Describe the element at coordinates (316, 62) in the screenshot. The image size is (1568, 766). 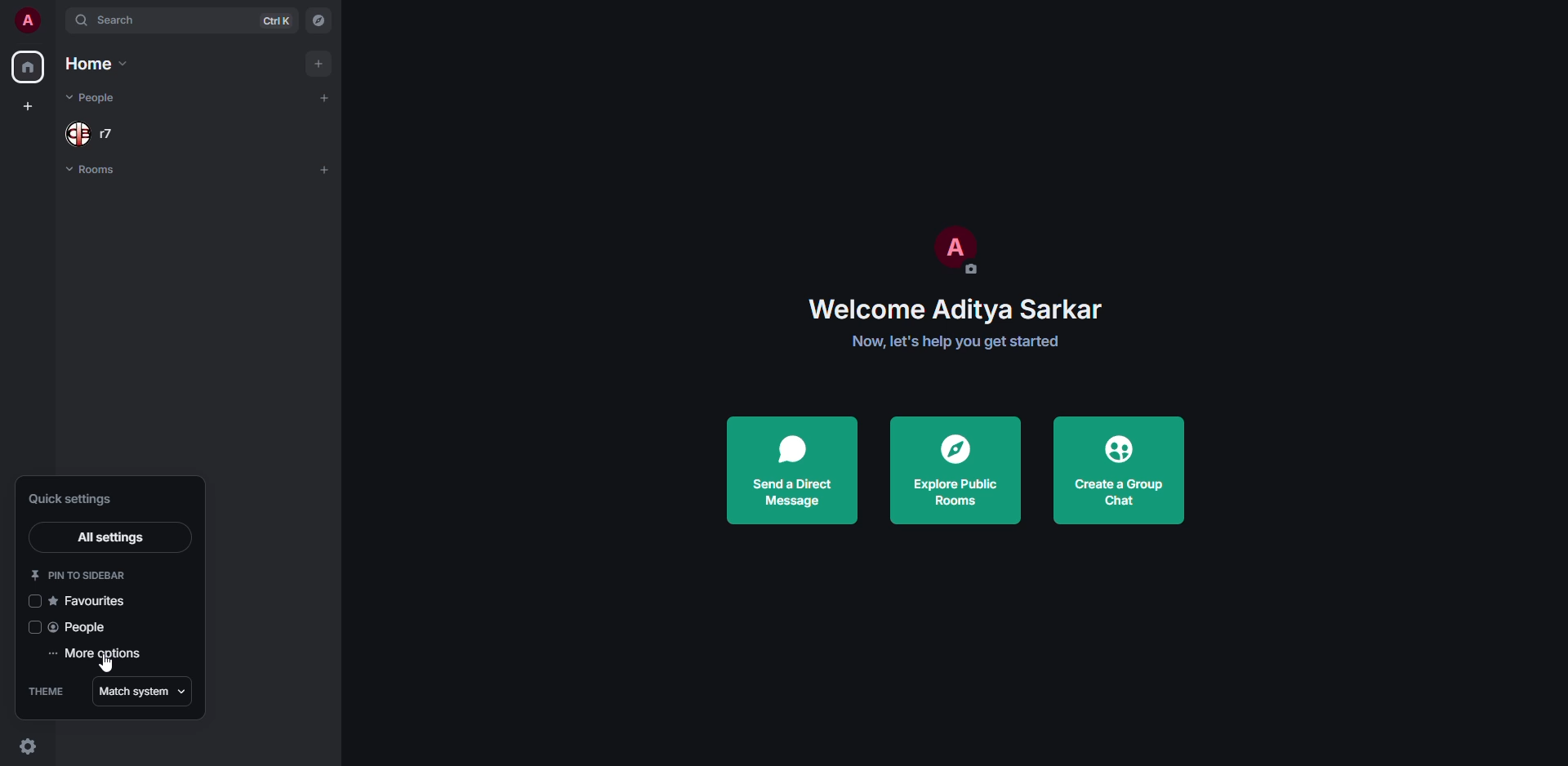
I see `add` at that location.